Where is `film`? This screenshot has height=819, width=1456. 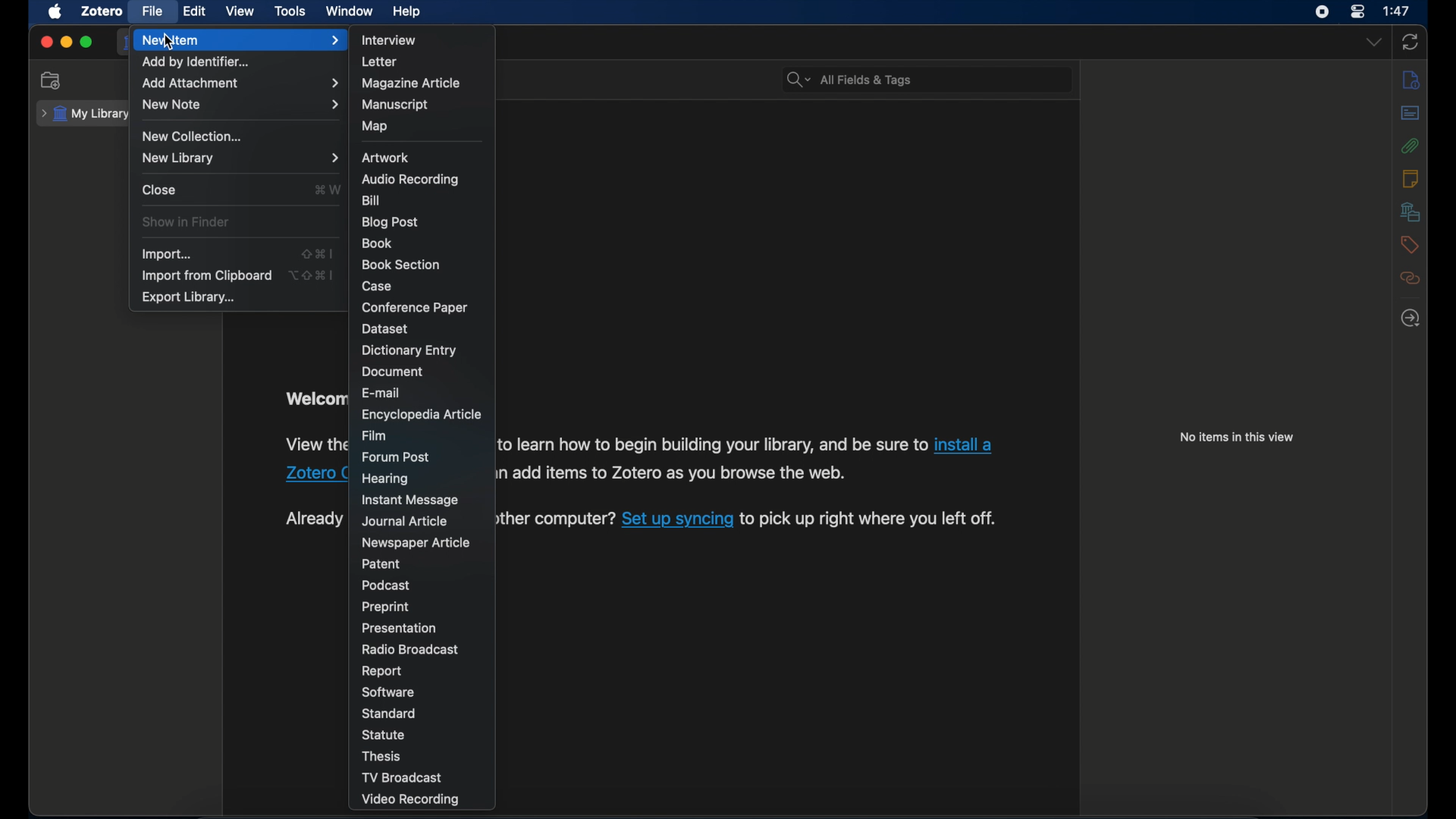 film is located at coordinates (375, 435).